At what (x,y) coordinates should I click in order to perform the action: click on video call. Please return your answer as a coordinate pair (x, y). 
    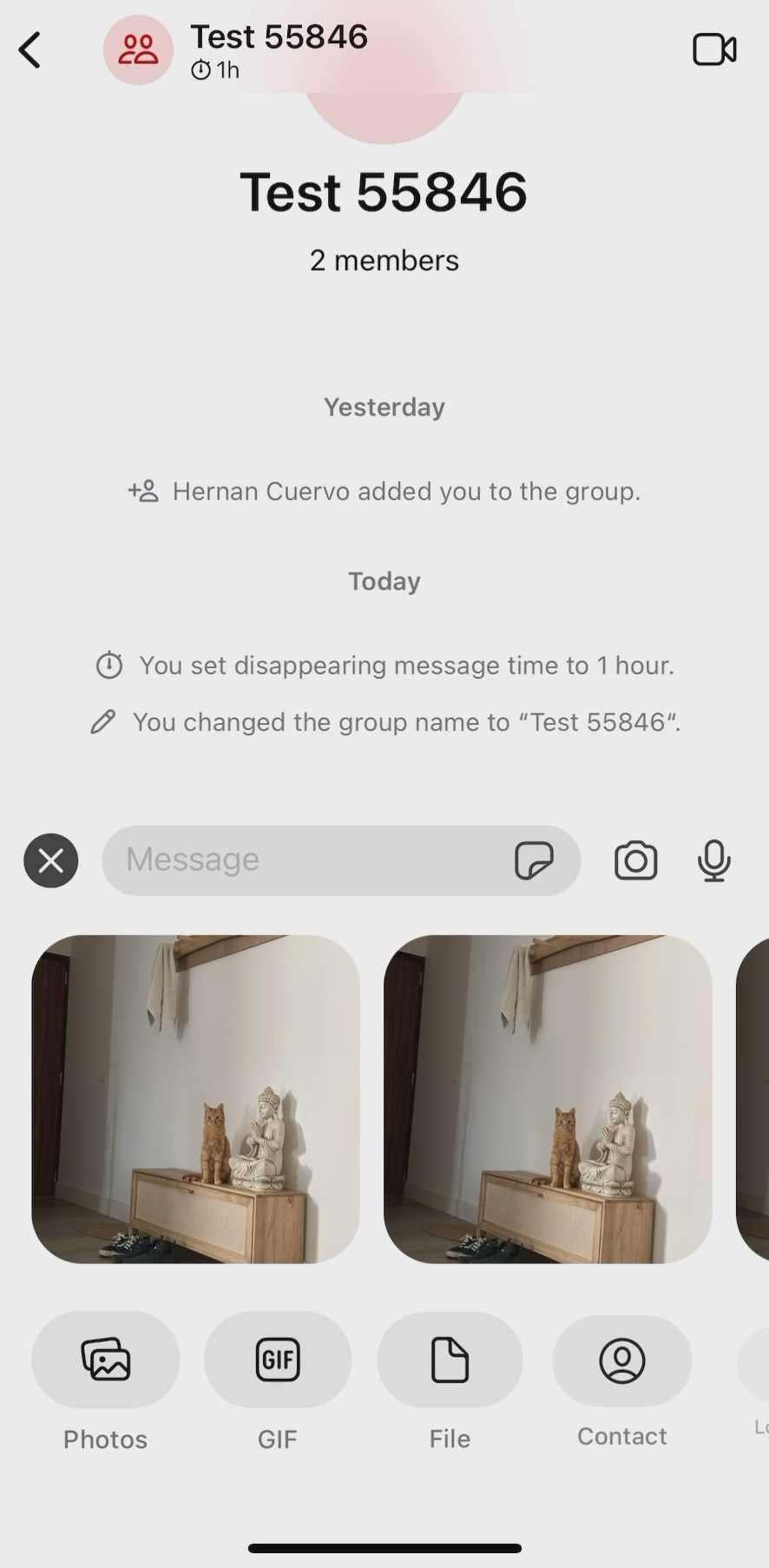
    Looking at the image, I should click on (714, 49).